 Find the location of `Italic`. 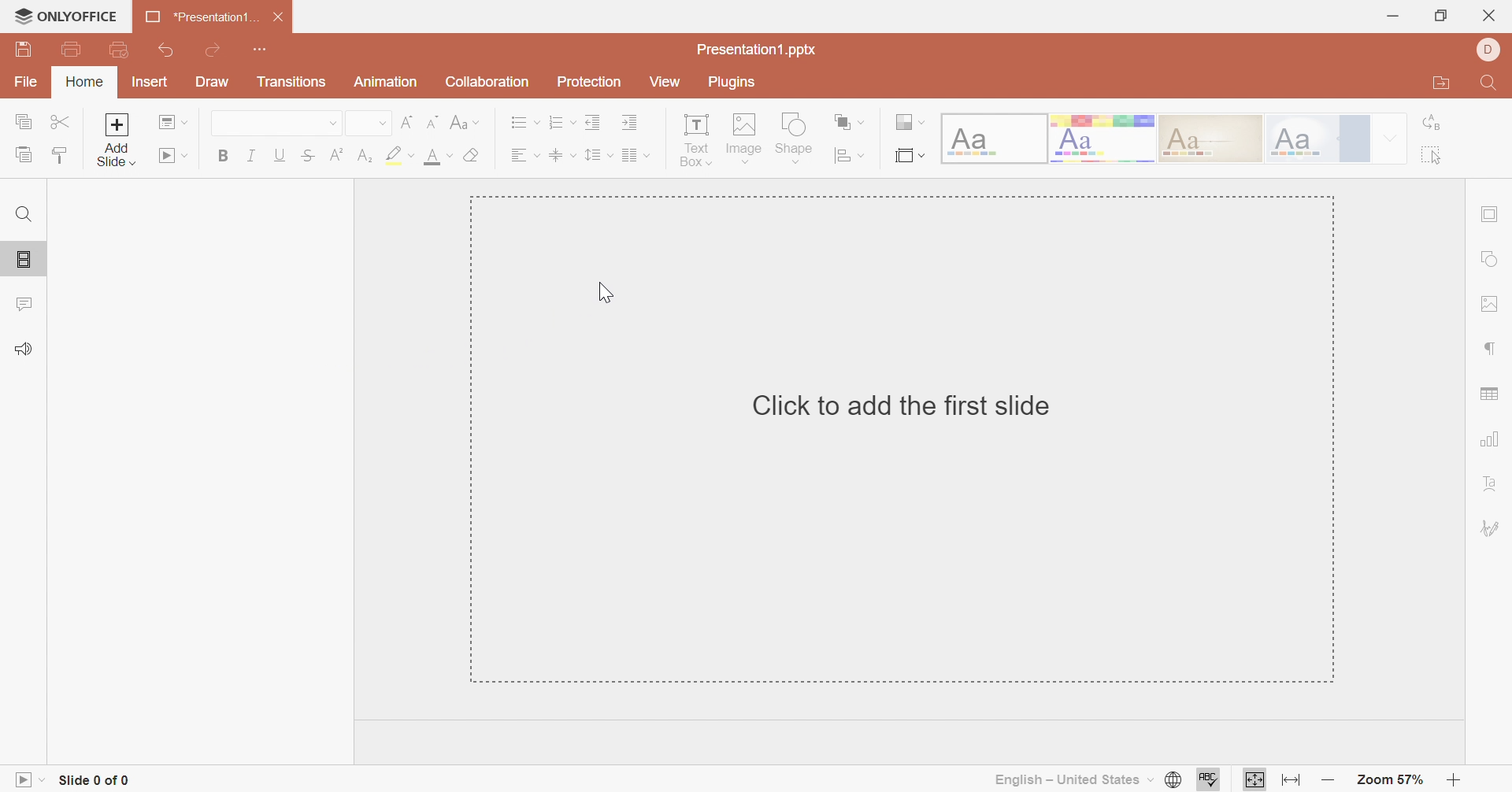

Italic is located at coordinates (250, 154).